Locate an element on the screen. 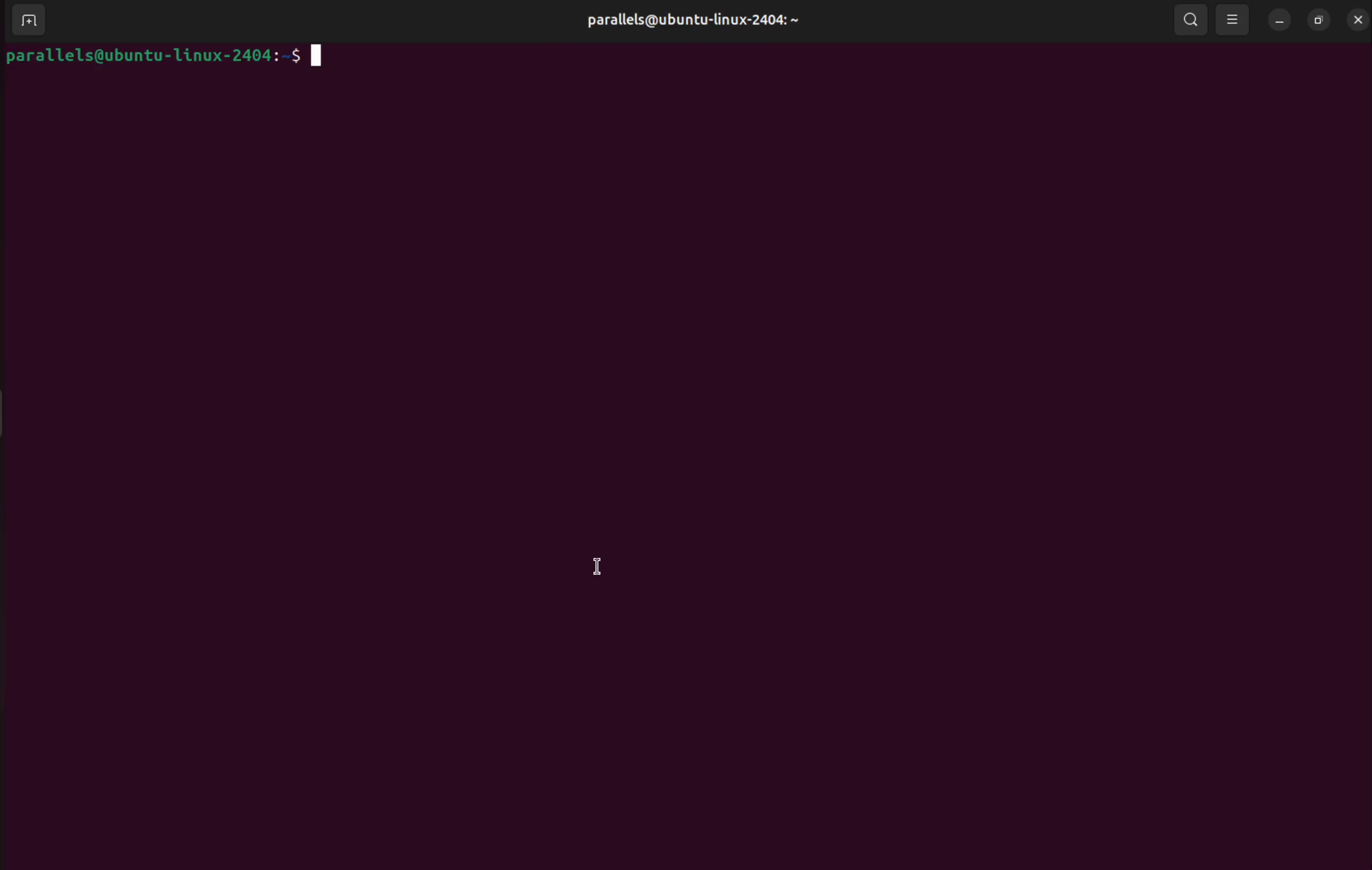 The width and height of the screenshot is (1372, 870). close is located at coordinates (1357, 19).